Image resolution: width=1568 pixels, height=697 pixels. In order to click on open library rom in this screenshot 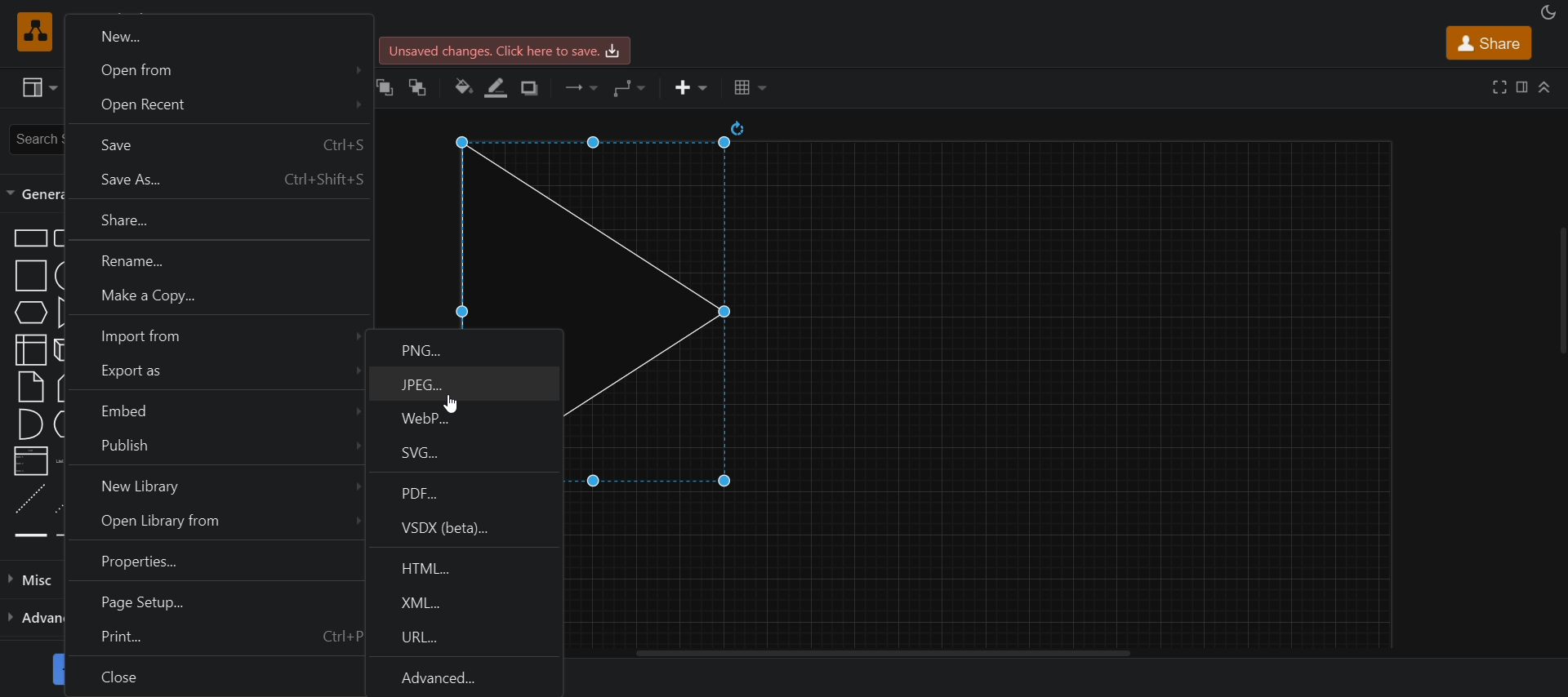, I will do `click(213, 523)`.